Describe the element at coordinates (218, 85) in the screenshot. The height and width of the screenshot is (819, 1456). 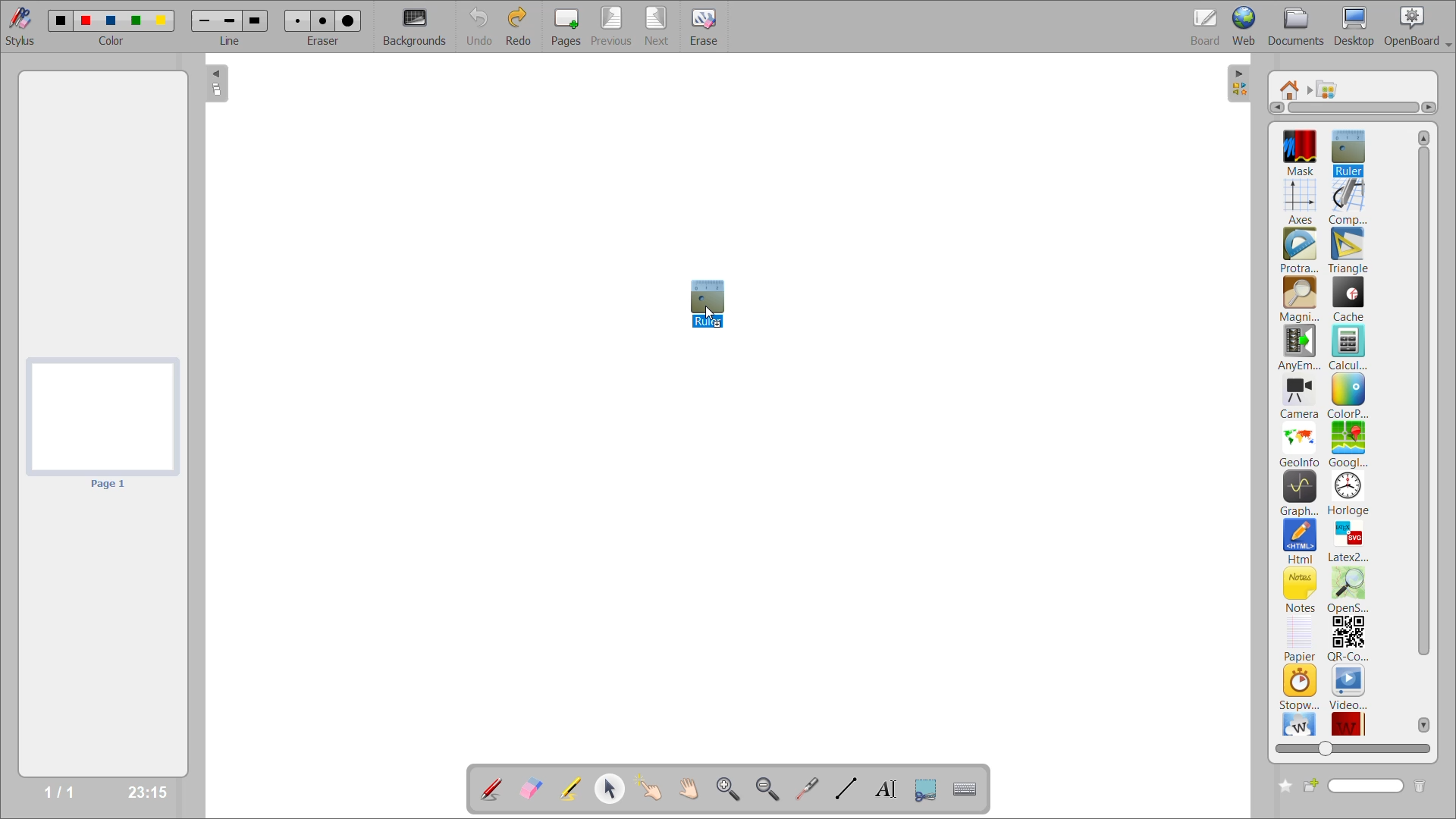
I see `collapse` at that location.